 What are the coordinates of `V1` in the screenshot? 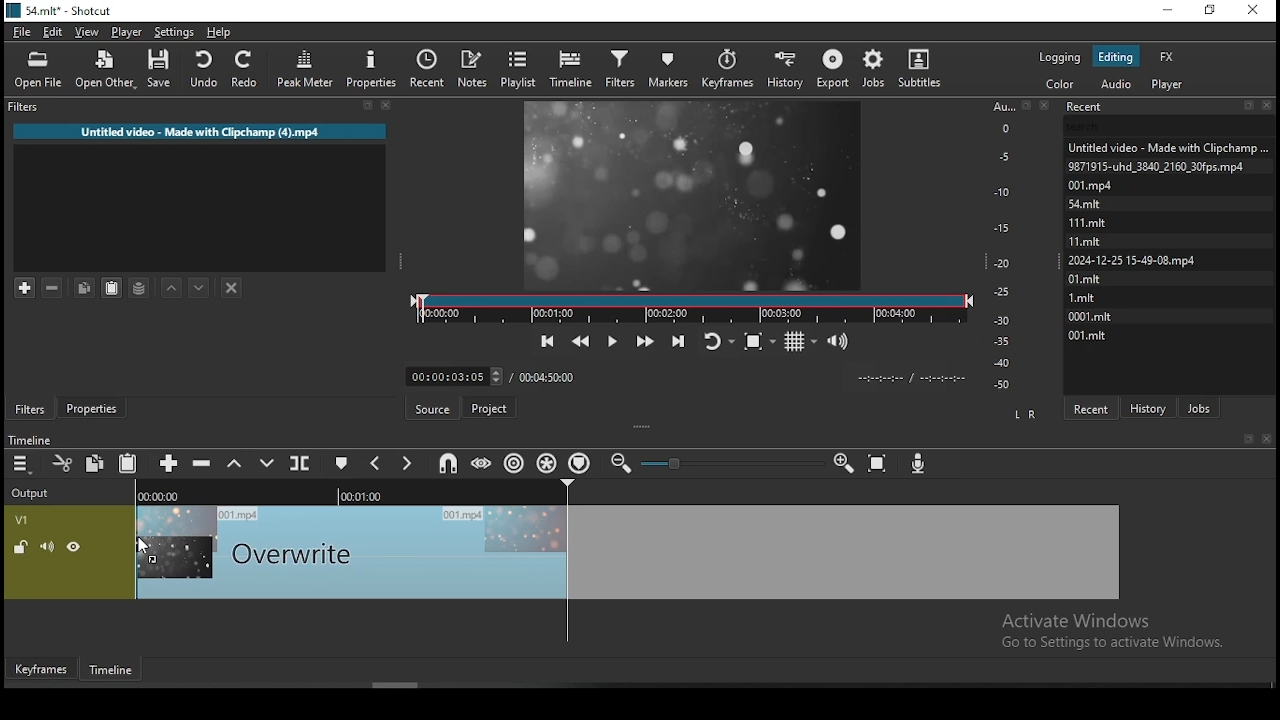 It's located at (22, 521).